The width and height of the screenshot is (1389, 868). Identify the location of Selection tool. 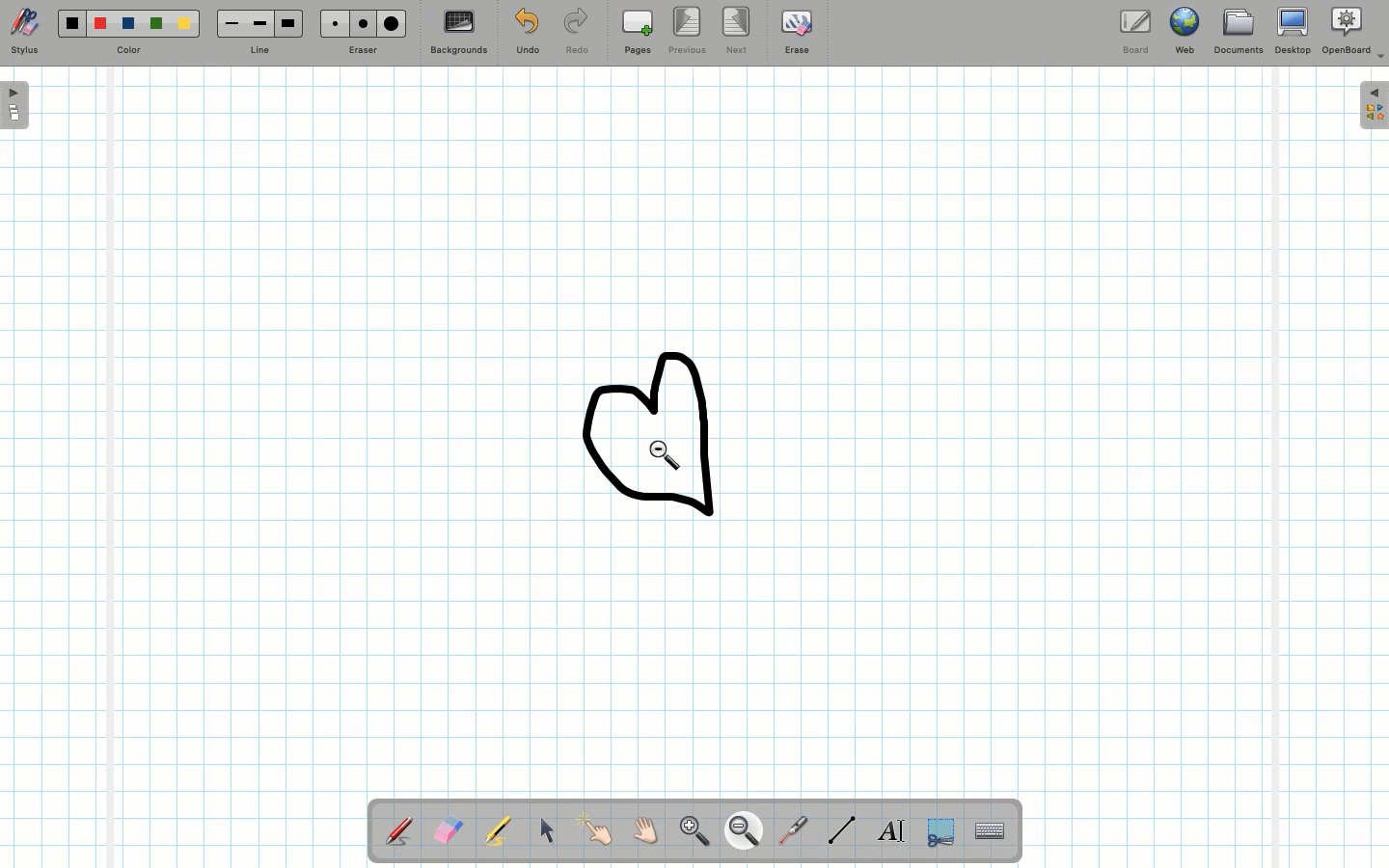
(937, 833).